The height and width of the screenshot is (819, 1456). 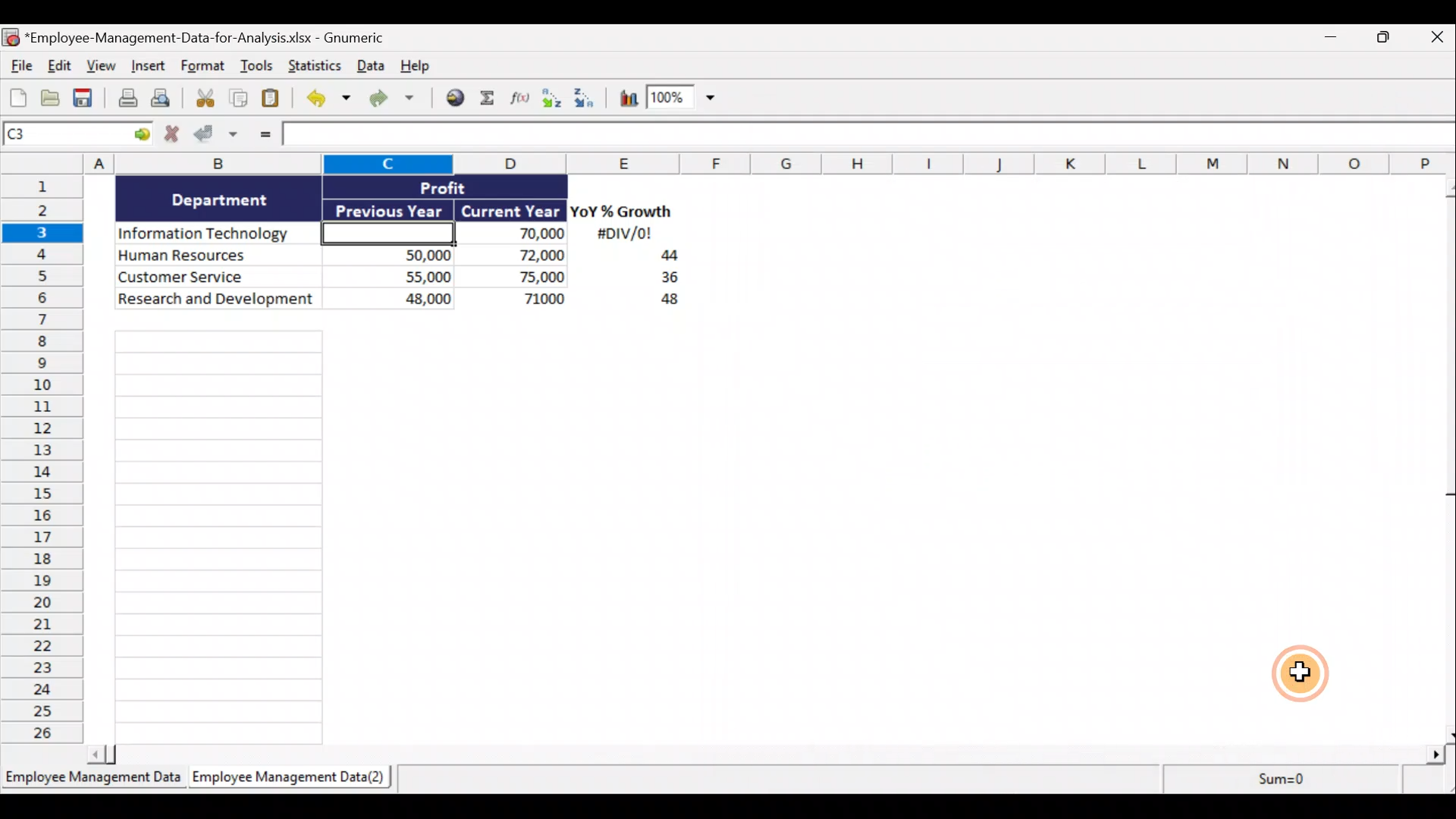 What do you see at coordinates (51, 99) in the screenshot?
I see `Open a file` at bounding box center [51, 99].